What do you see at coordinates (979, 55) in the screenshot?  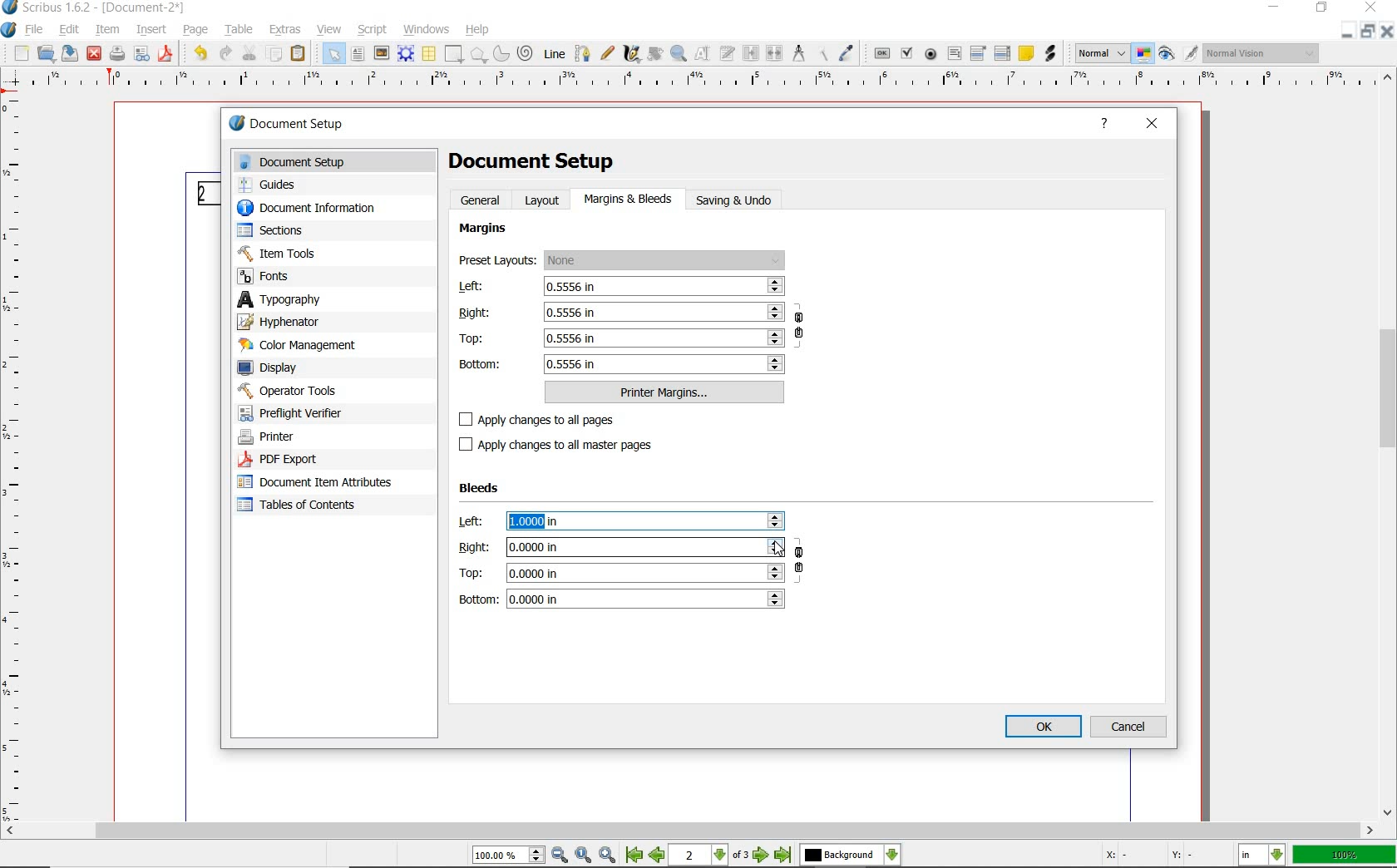 I see `pdf combo box` at bounding box center [979, 55].